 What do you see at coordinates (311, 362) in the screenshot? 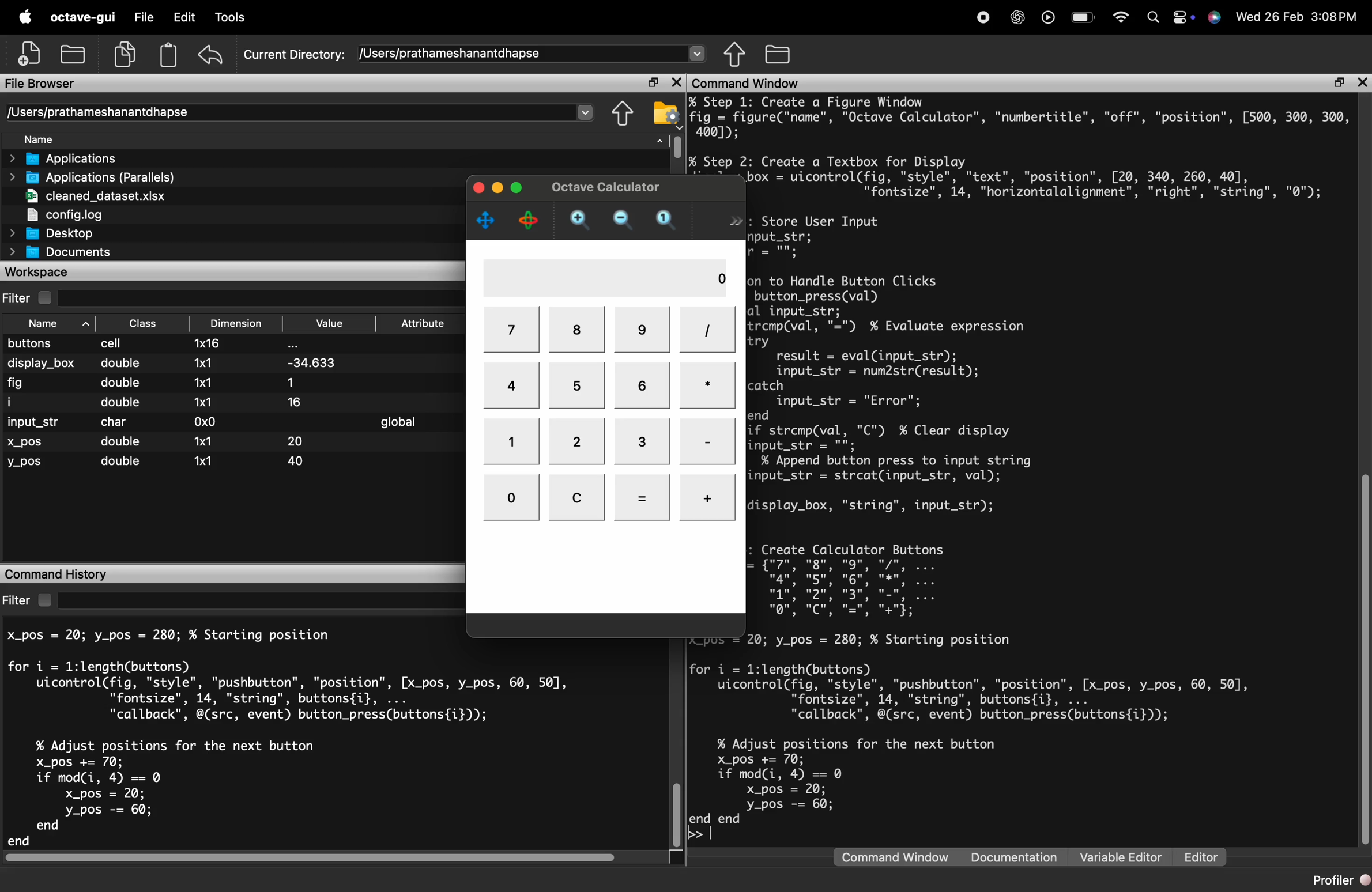
I see `-34.633` at bounding box center [311, 362].